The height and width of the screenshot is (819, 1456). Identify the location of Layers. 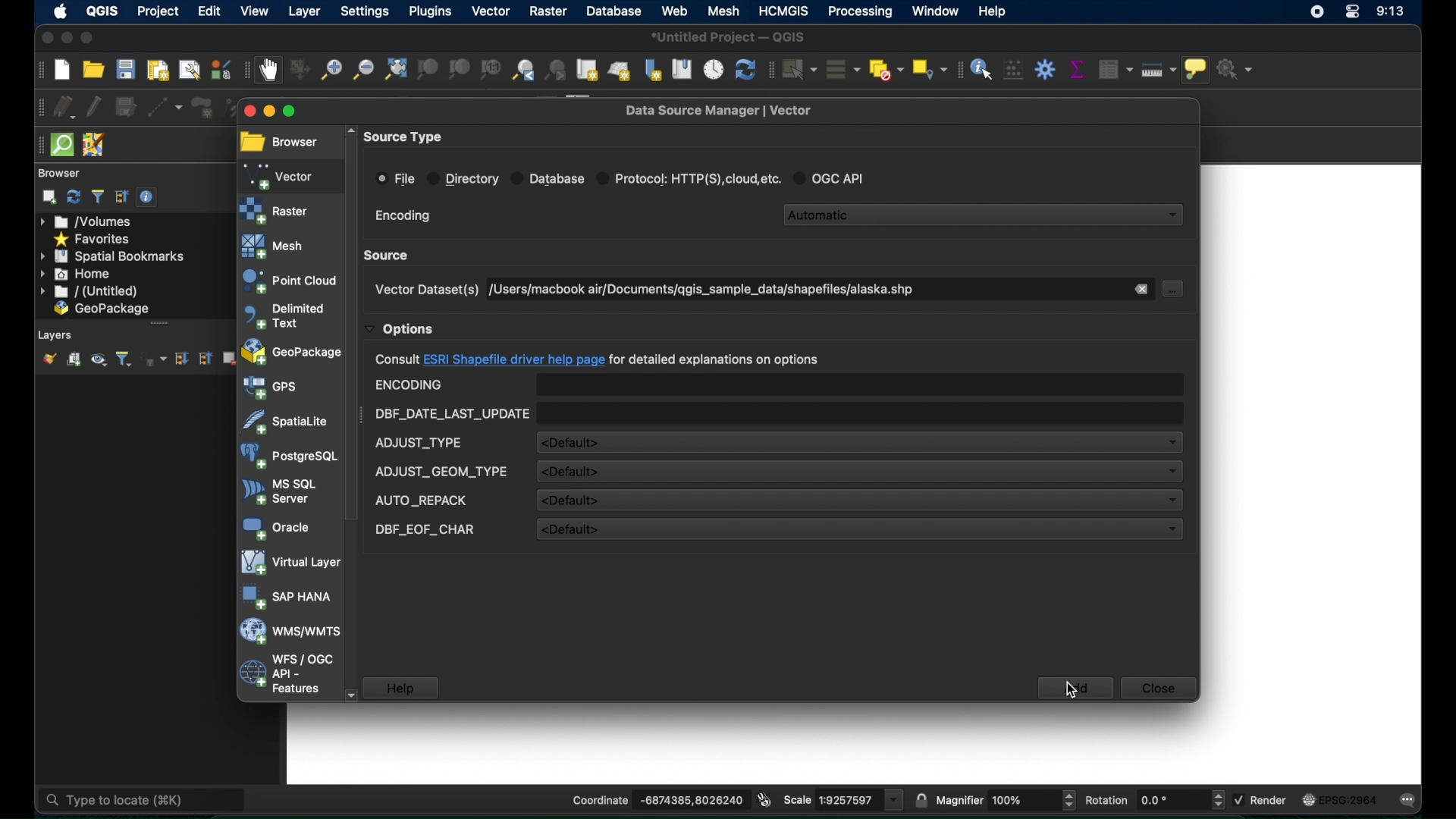
(52, 335).